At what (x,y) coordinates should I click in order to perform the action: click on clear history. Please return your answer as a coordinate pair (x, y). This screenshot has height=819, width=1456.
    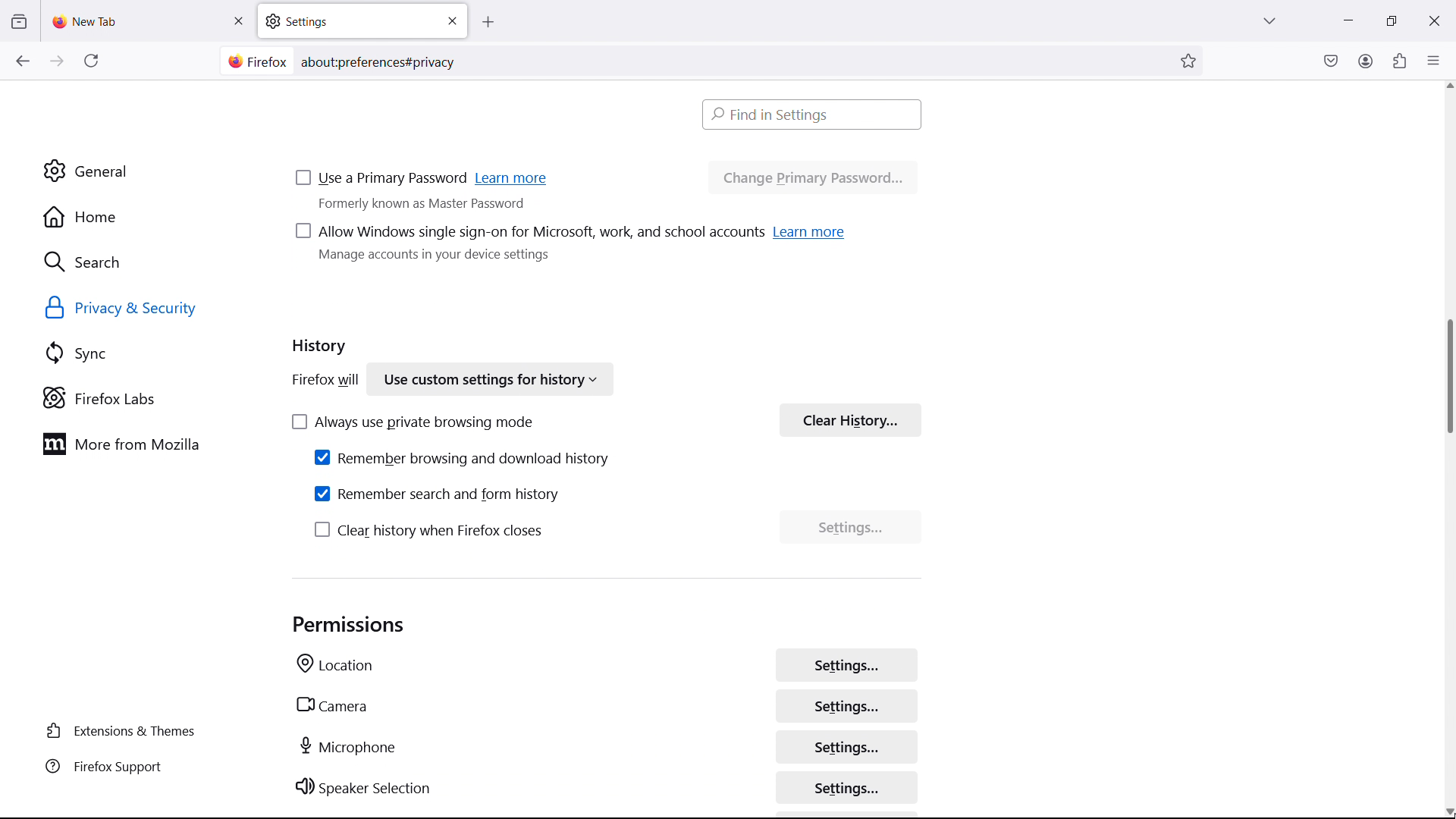
    Looking at the image, I should click on (850, 417).